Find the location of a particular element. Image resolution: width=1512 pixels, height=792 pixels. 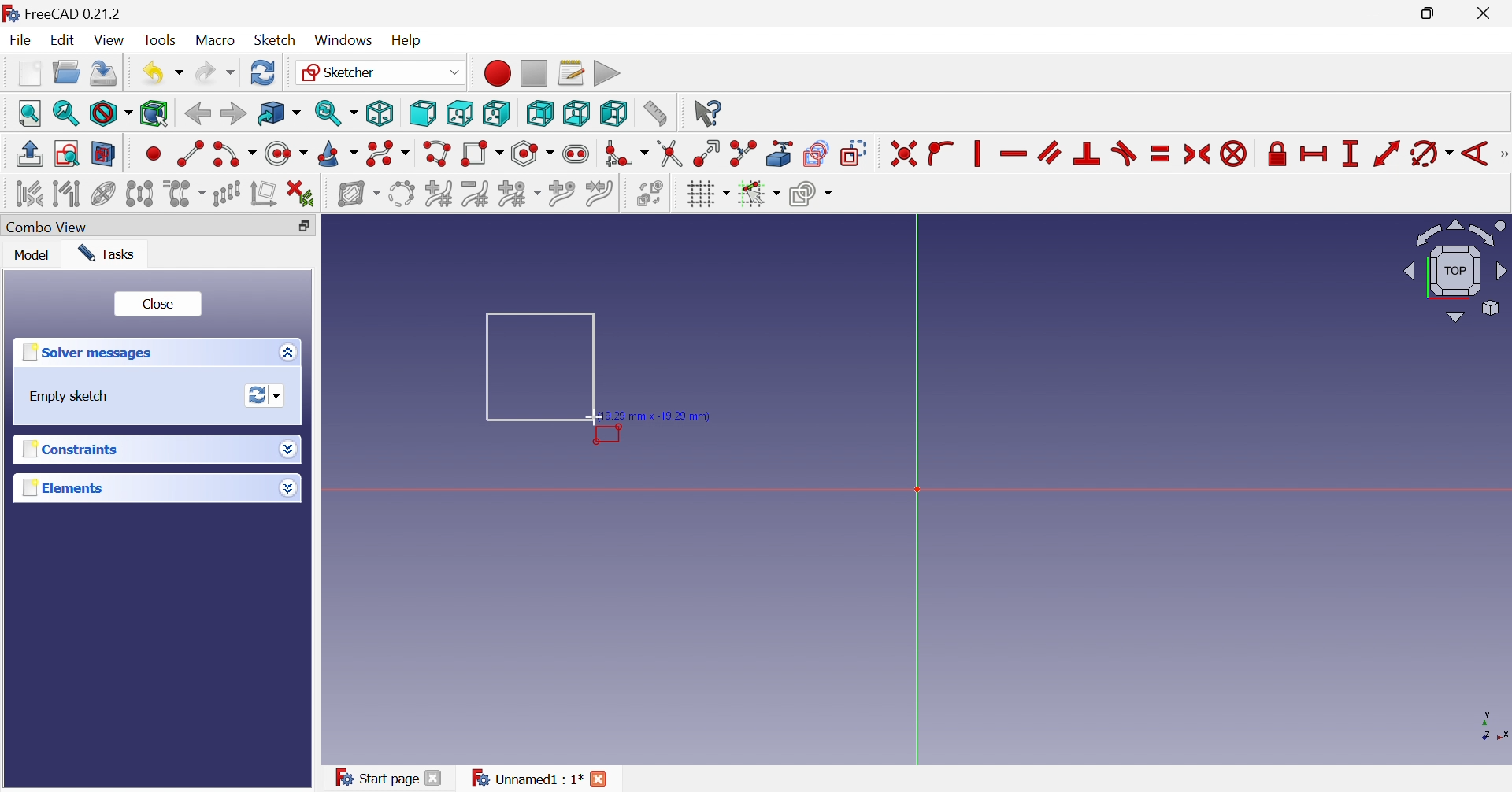

logo is located at coordinates (10, 12).